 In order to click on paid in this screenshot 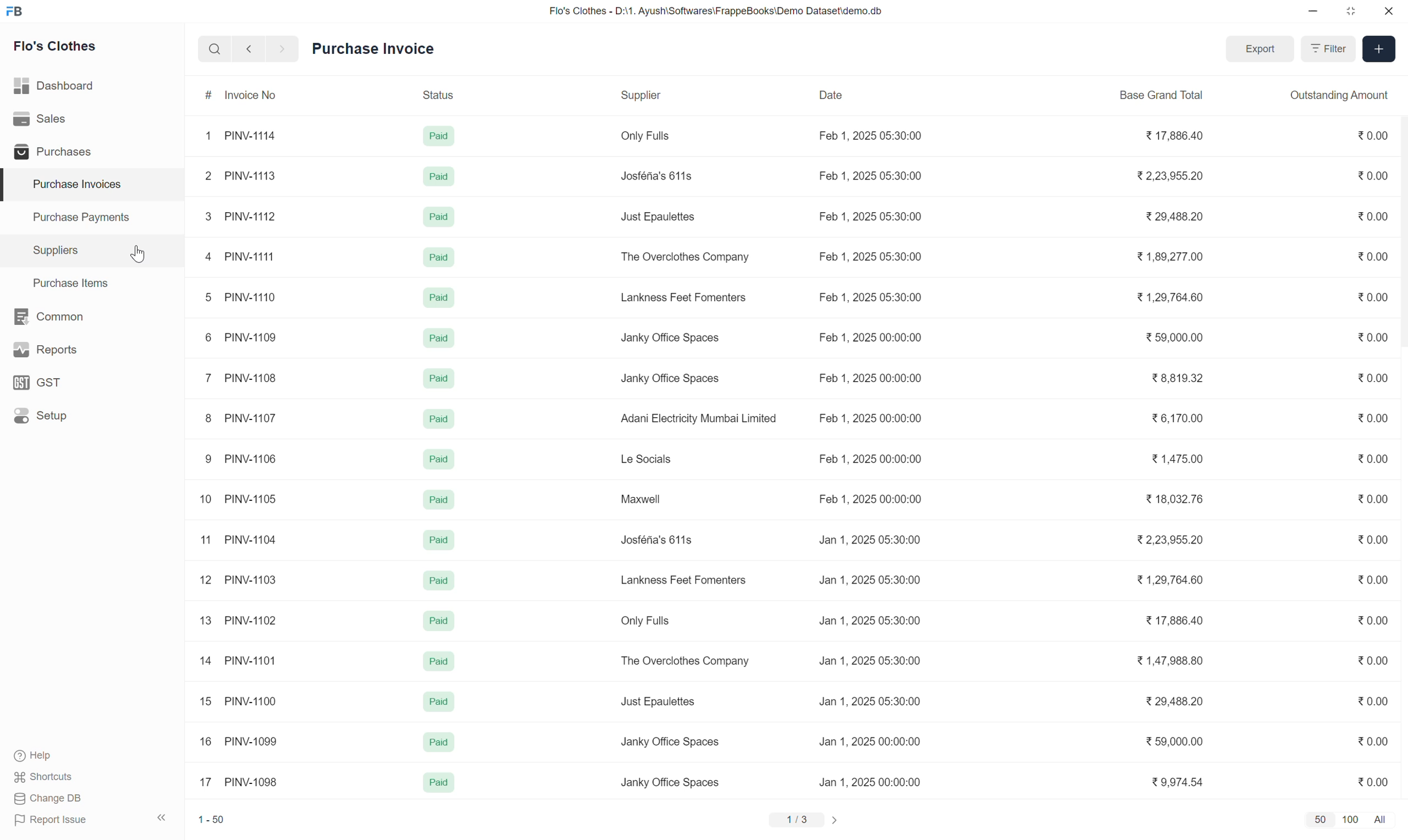, I will do `click(438, 418)`.